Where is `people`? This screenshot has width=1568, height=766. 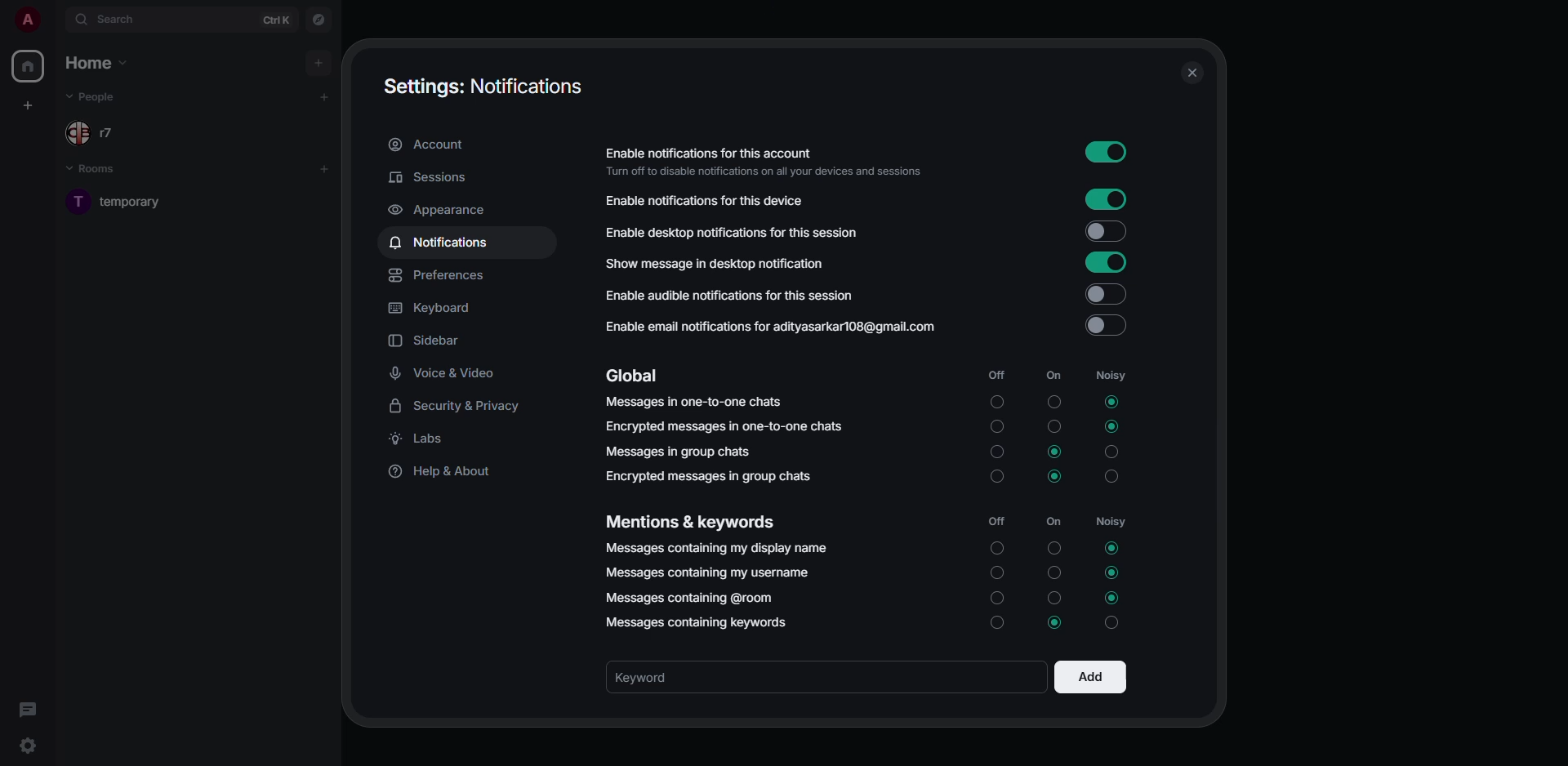 people is located at coordinates (108, 132).